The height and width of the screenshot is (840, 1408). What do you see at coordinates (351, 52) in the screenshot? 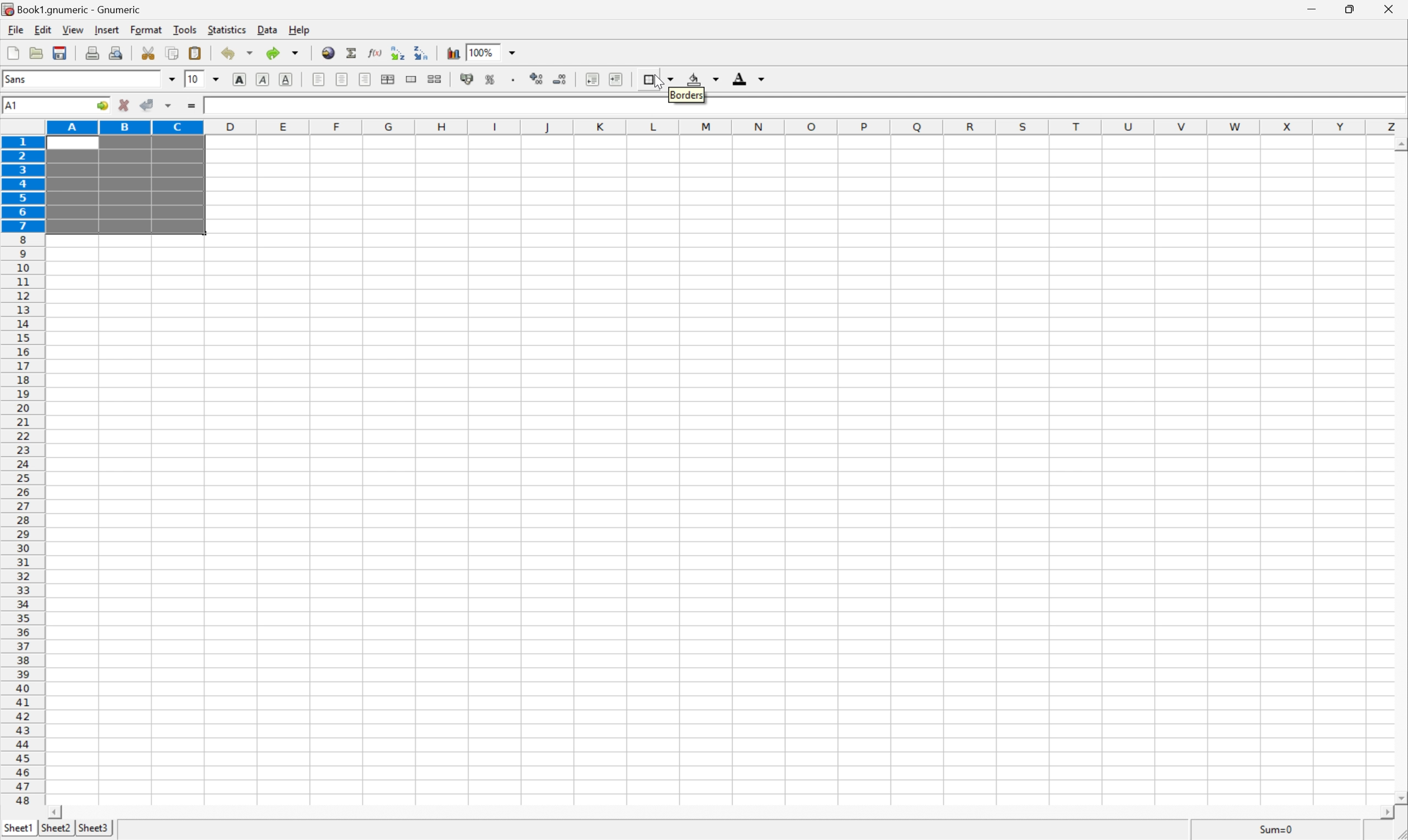
I see `sum in current cell` at bounding box center [351, 52].